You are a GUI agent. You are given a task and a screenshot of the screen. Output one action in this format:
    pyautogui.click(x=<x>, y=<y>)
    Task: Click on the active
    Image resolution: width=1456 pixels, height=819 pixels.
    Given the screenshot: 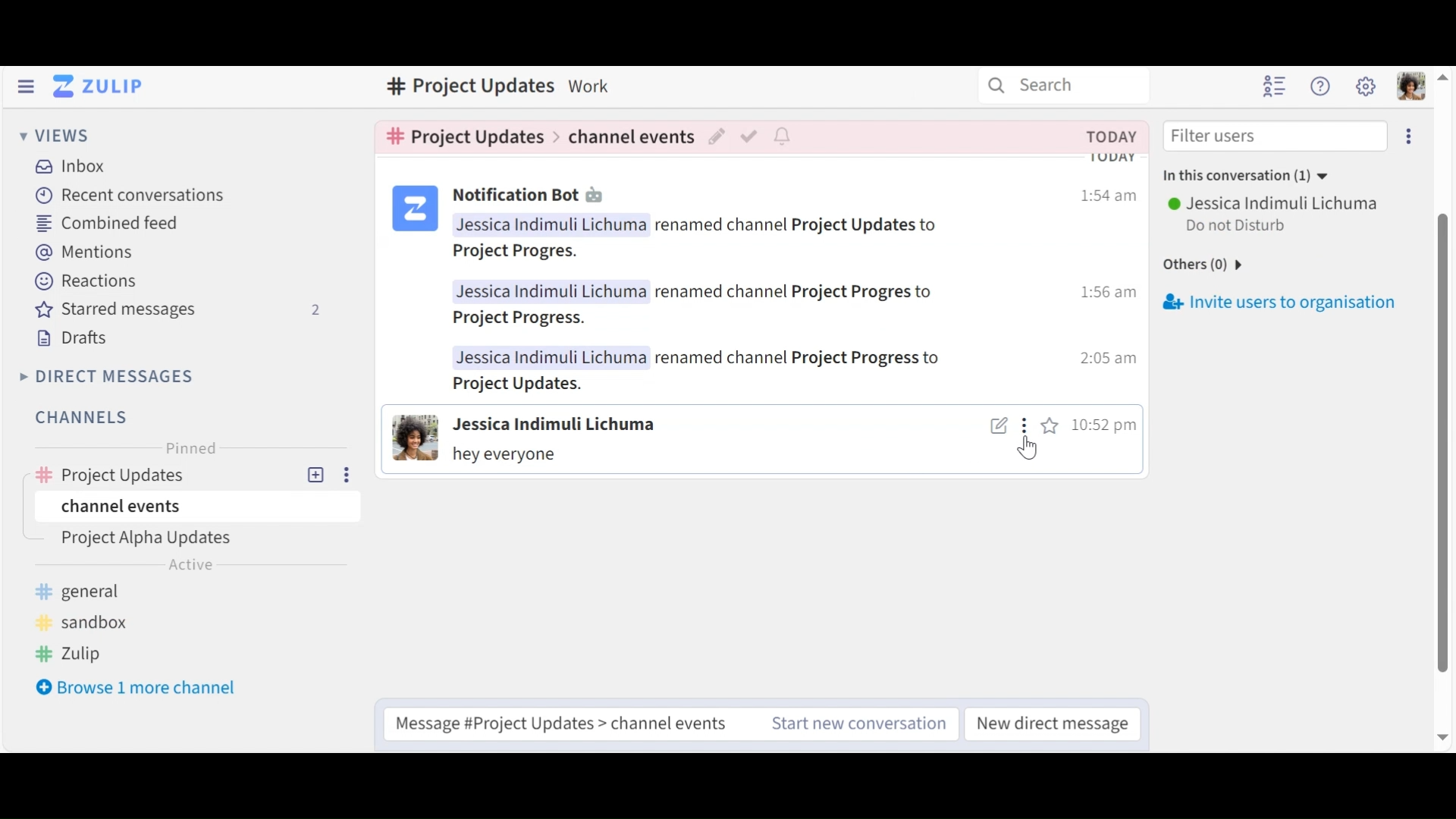 What is the action you would take?
    pyautogui.click(x=195, y=566)
    